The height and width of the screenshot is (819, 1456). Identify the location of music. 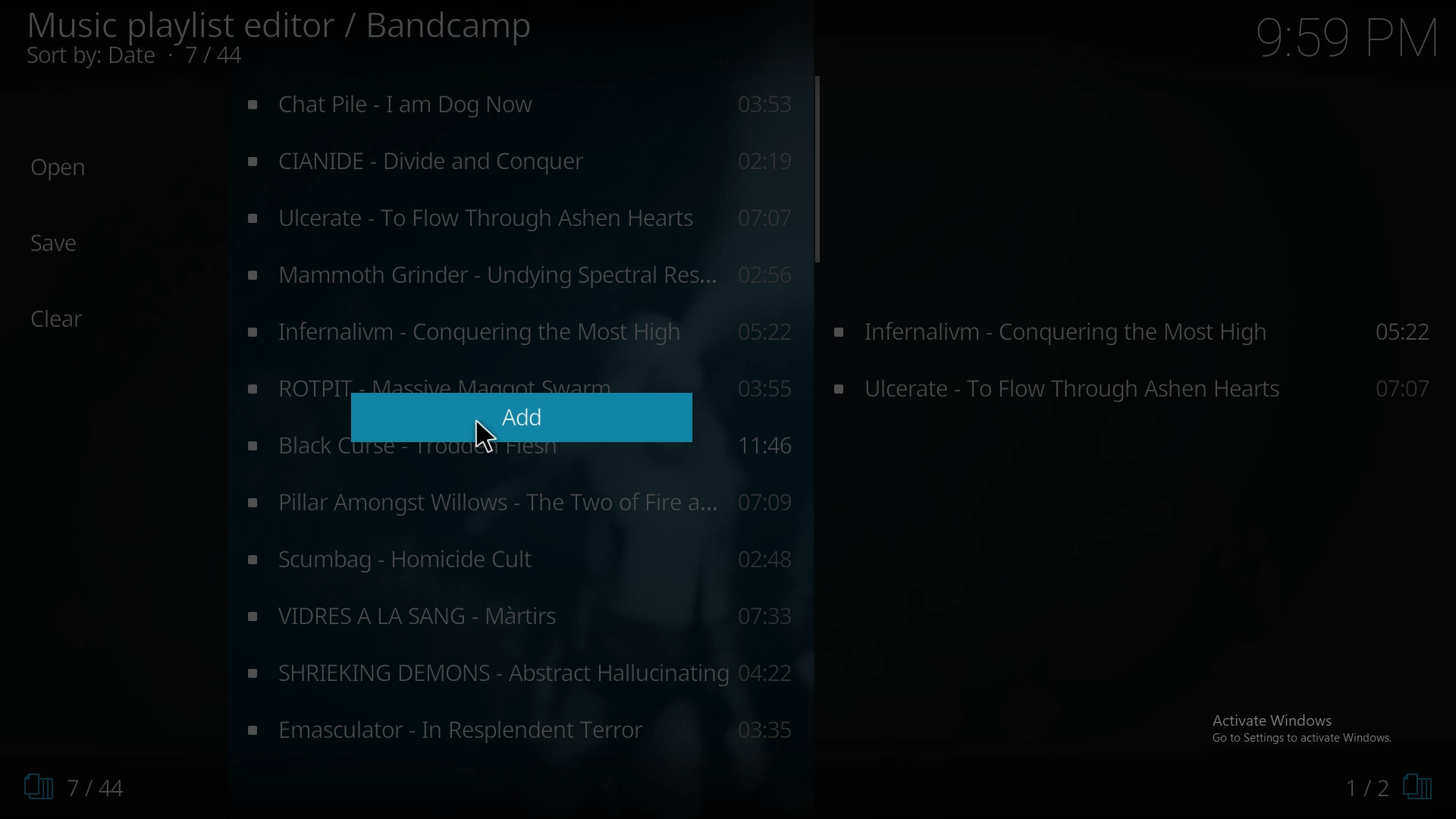
(520, 563).